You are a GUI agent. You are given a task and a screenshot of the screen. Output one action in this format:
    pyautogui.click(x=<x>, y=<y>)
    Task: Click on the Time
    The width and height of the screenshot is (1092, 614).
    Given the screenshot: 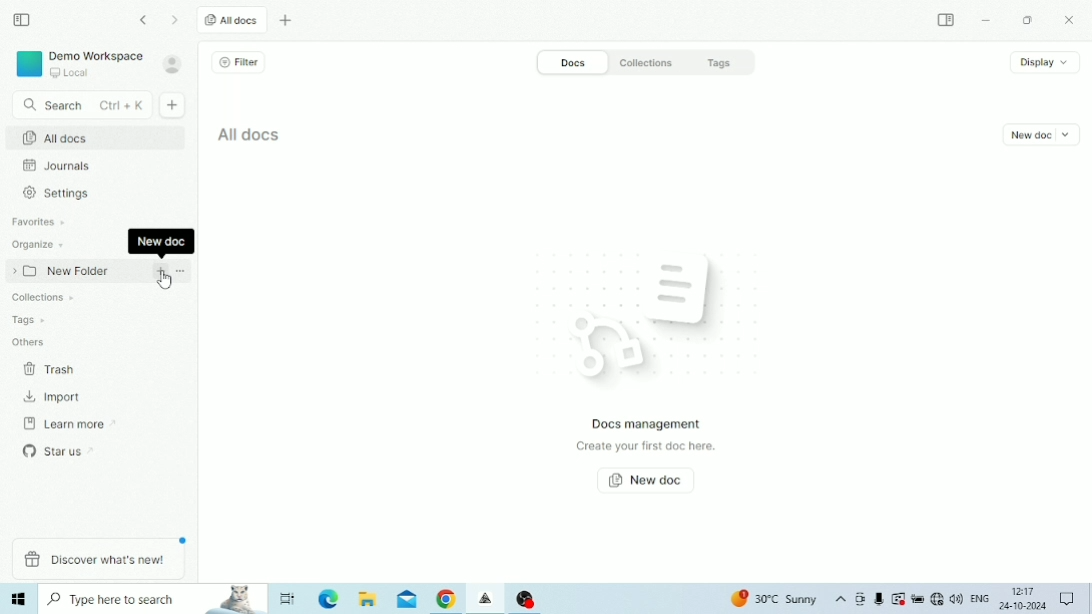 What is the action you would take?
    pyautogui.click(x=1024, y=590)
    